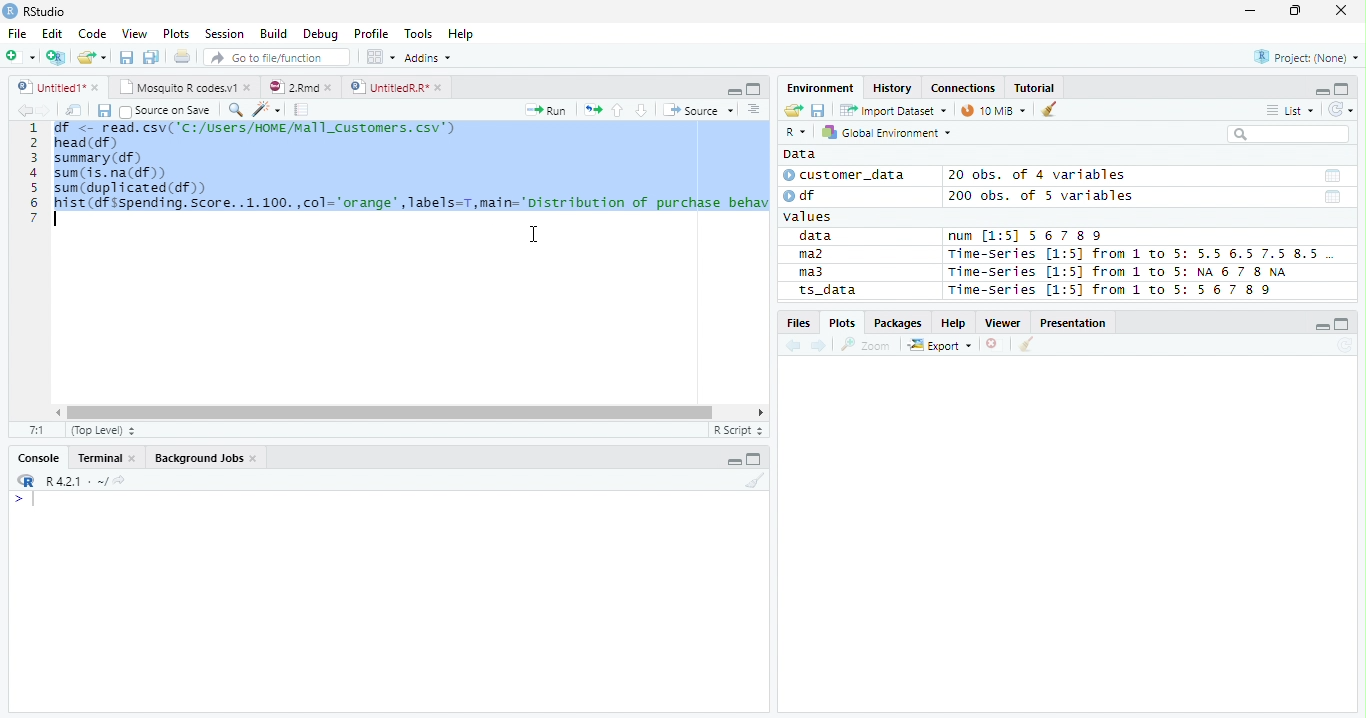 Image resolution: width=1366 pixels, height=718 pixels. What do you see at coordinates (1006, 323) in the screenshot?
I see `Viewer` at bounding box center [1006, 323].